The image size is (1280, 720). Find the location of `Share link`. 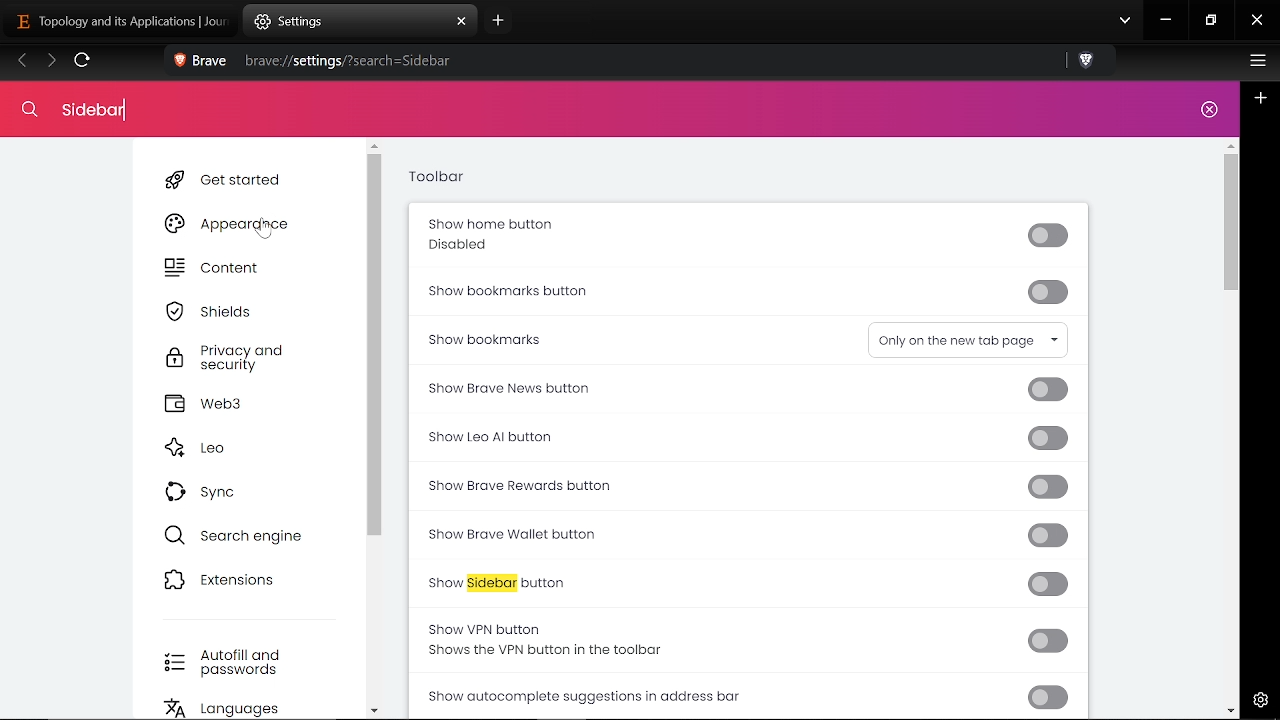

Share link is located at coordinates (1050, 62).